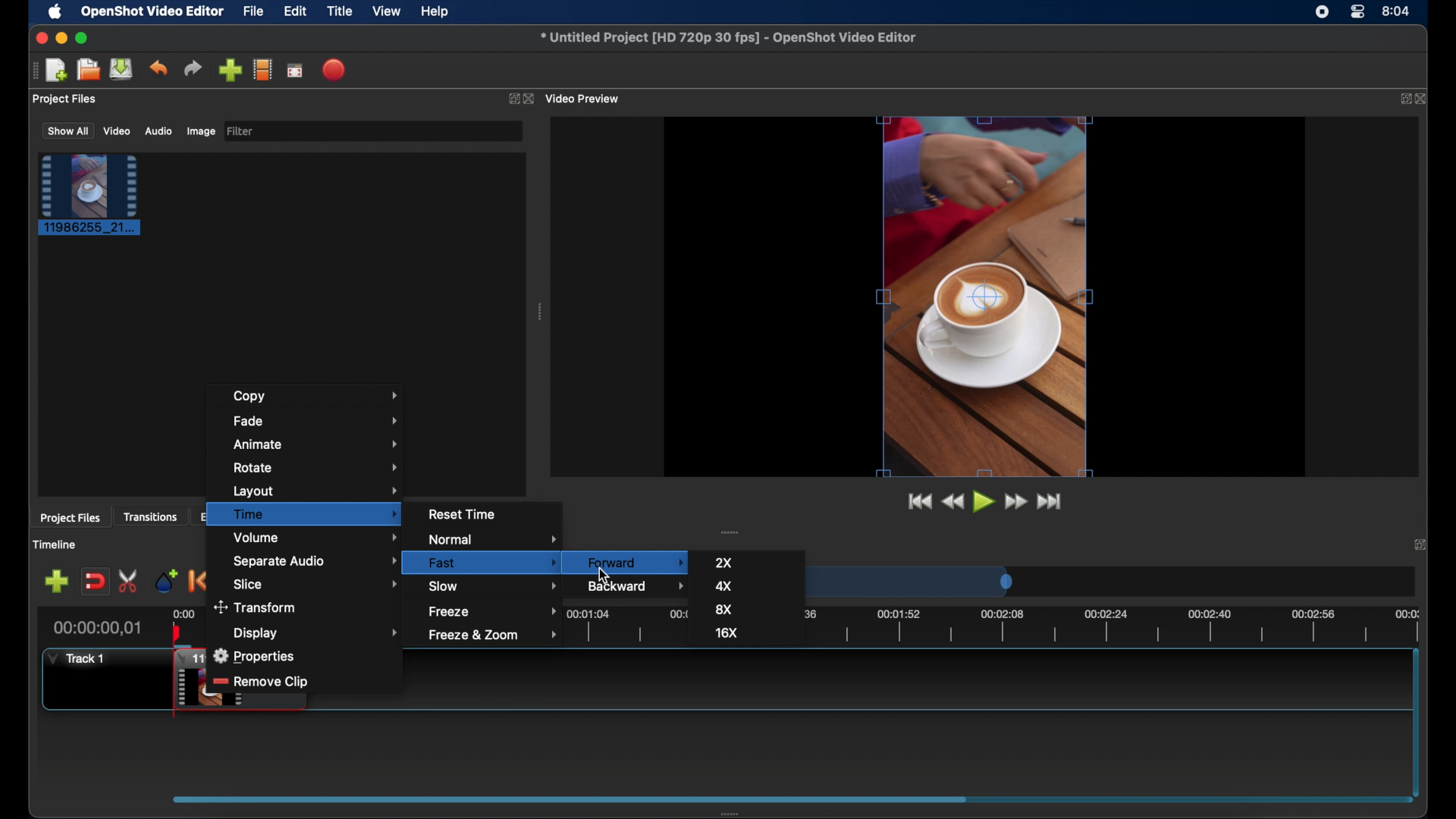  I want to click on expand, so click(512, 99).